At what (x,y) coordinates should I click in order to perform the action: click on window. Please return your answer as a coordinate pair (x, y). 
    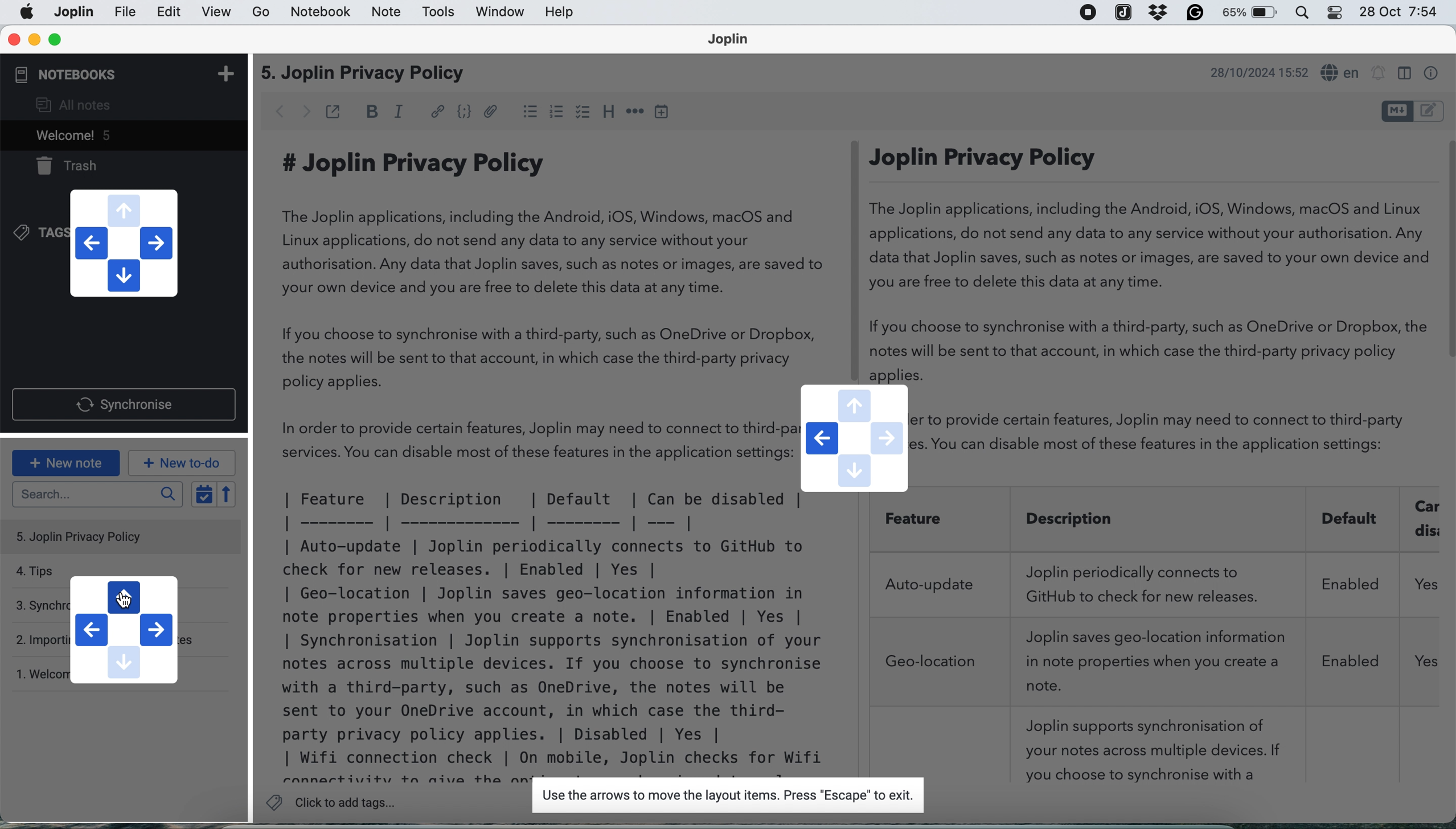
    Looking at the image, I should click on (497, 13).